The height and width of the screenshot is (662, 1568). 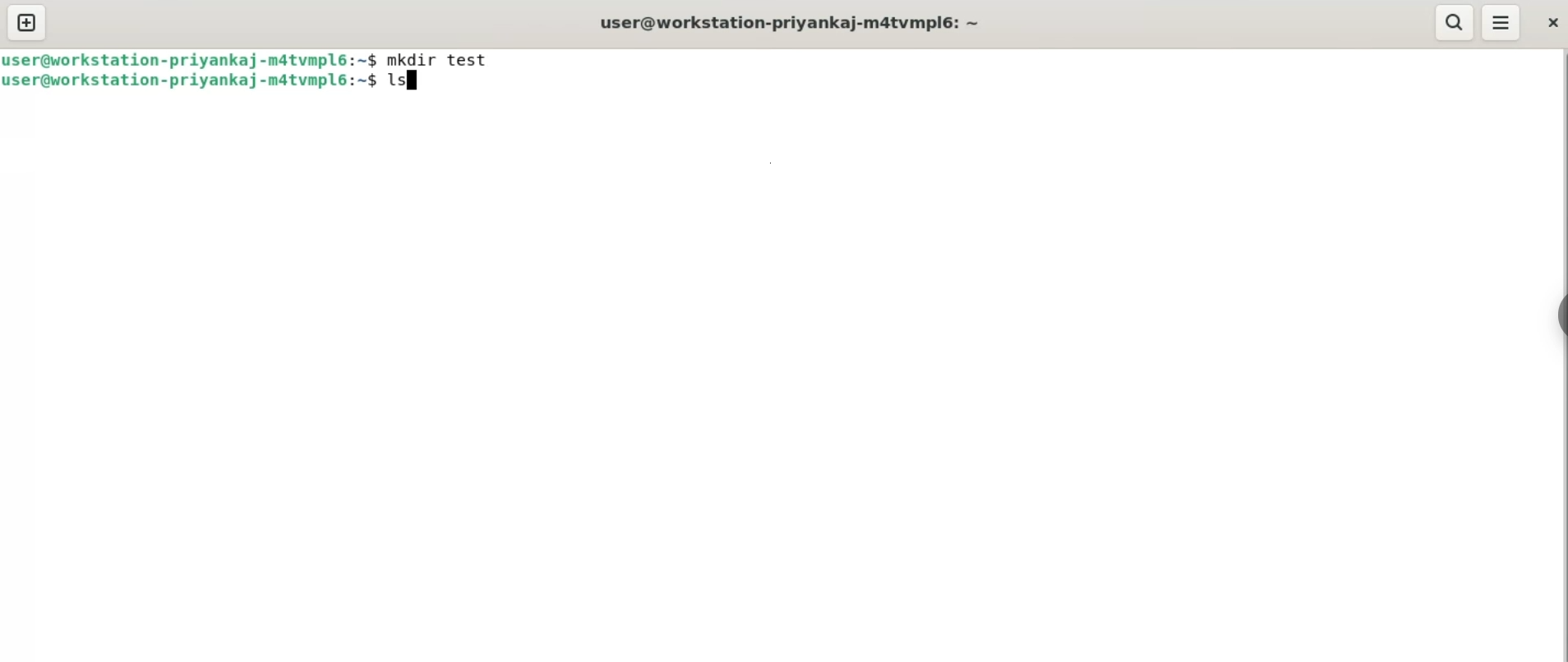 I want to click on ls, so click(x=404, y=83).